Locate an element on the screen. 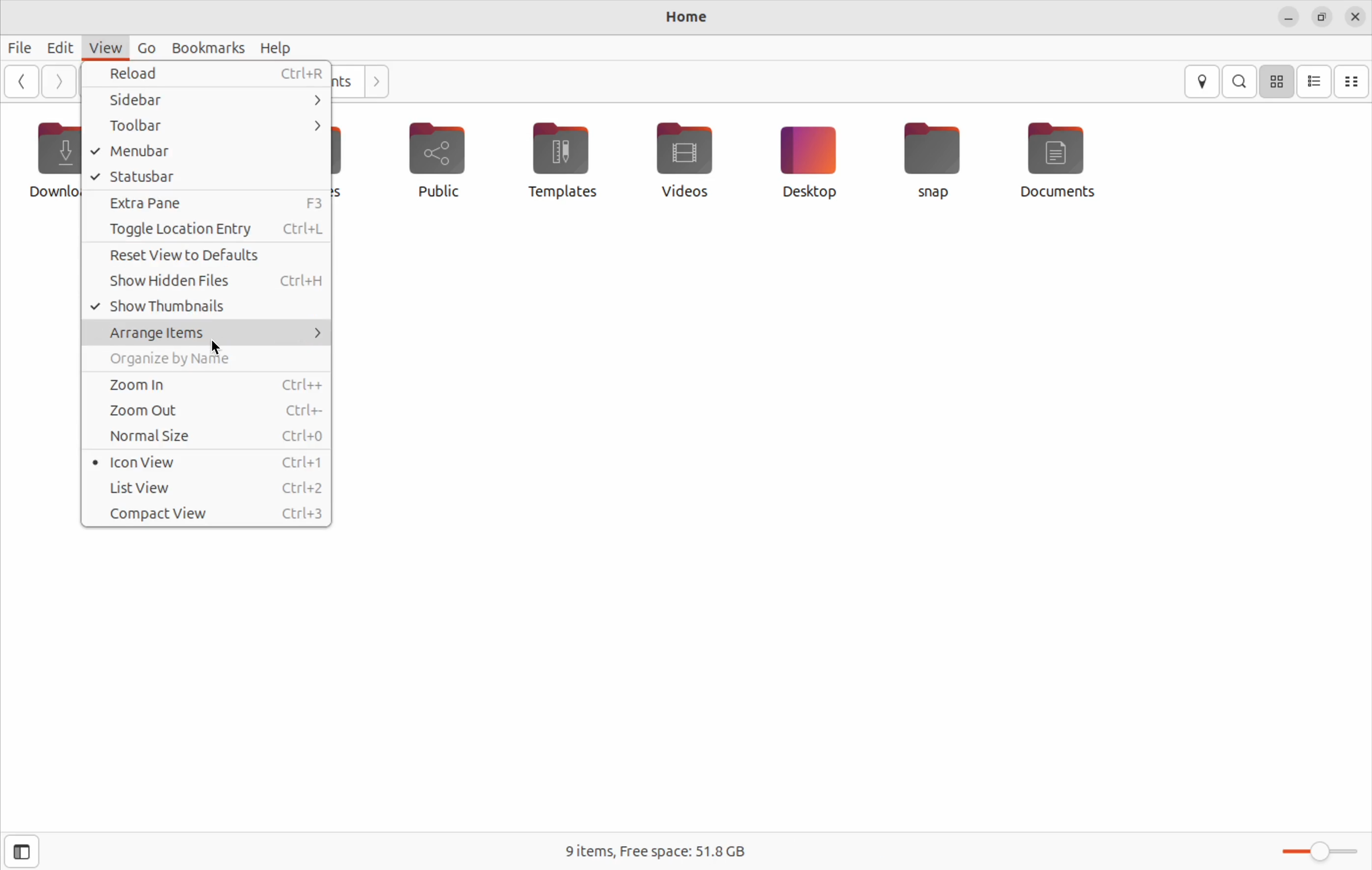  open side bar is located at coordinates (22, 852).